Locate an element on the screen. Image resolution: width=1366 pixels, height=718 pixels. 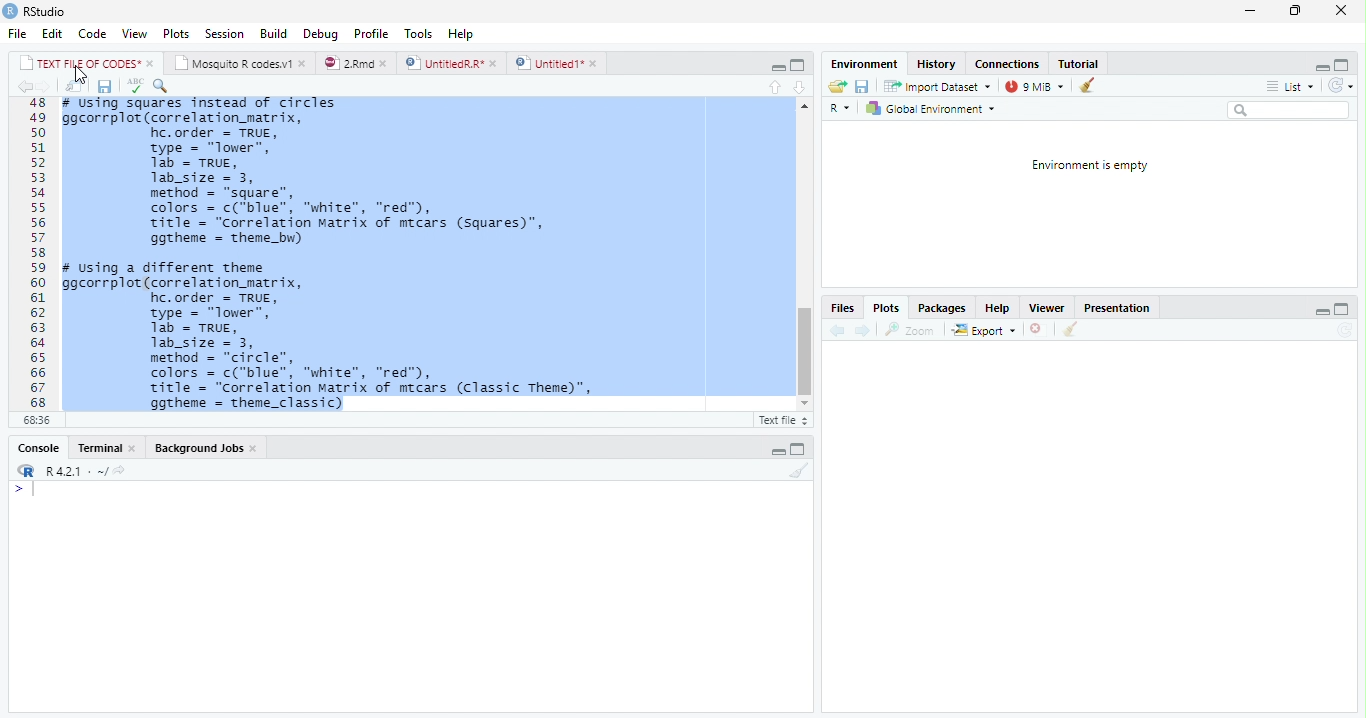
zoom is located at coordinates (914, 330).